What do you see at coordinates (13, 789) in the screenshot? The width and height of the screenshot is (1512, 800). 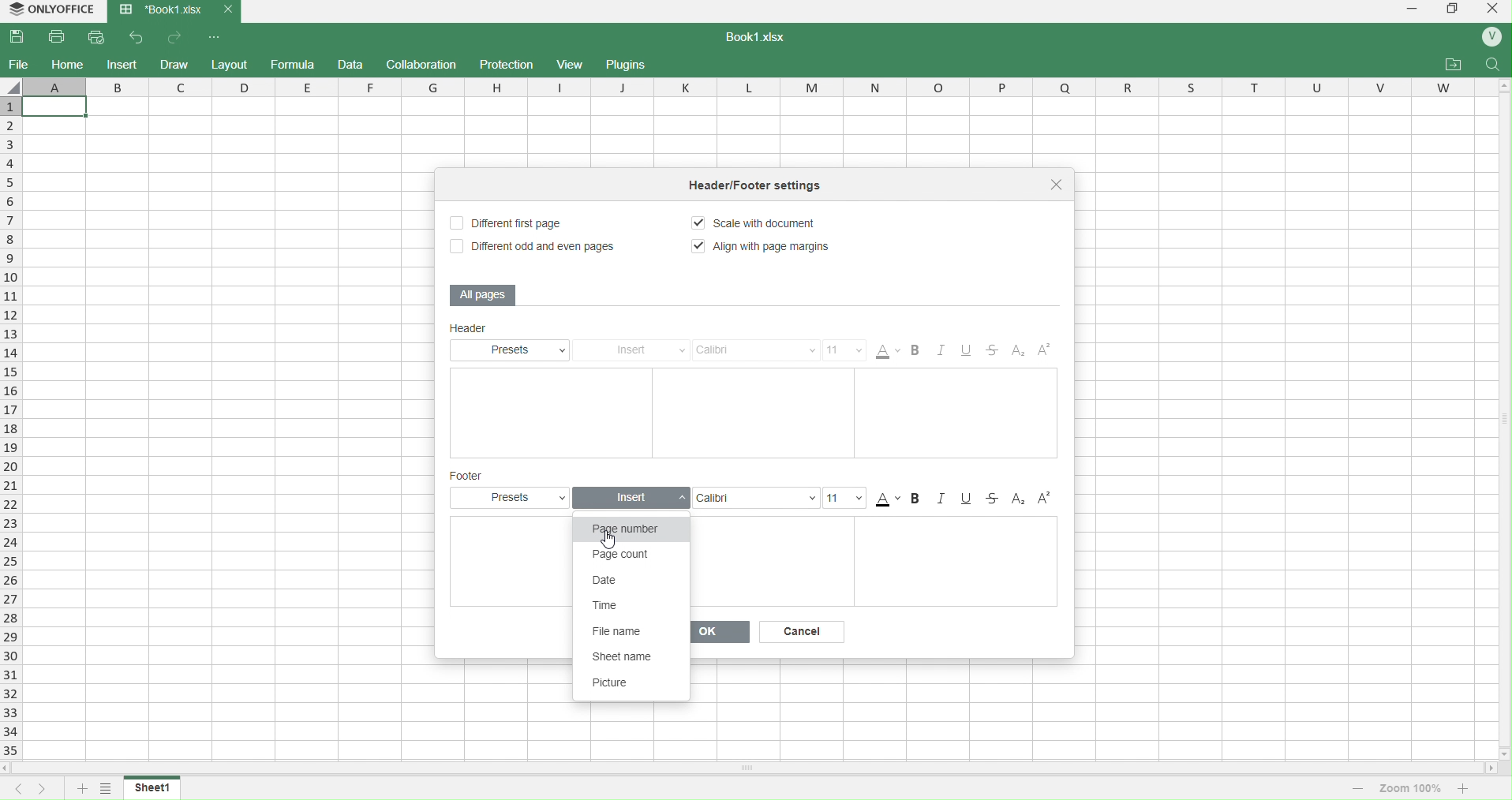 I see `previous sheet` at bounding box center [13, 789].